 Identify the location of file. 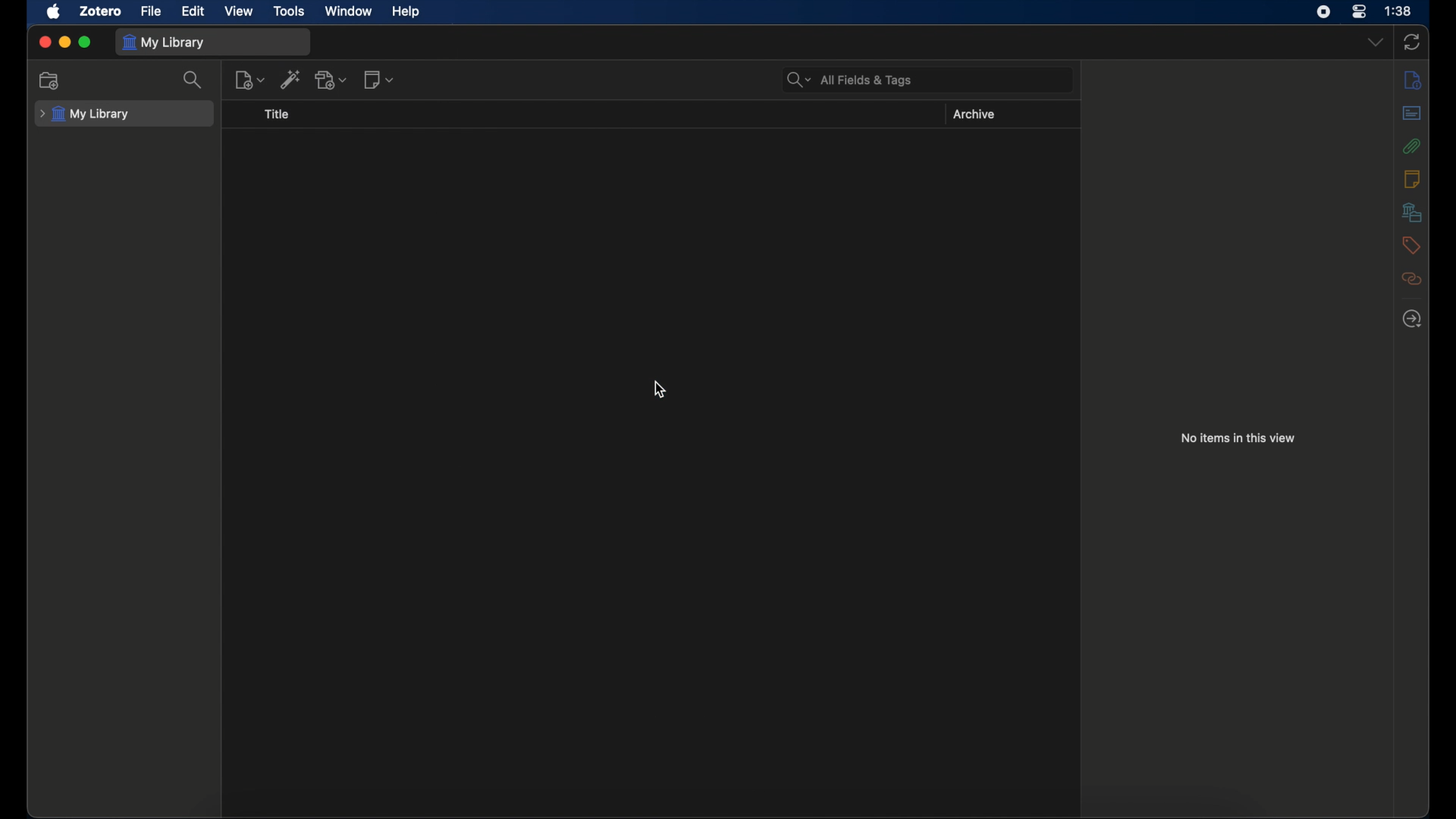
(152, 11).